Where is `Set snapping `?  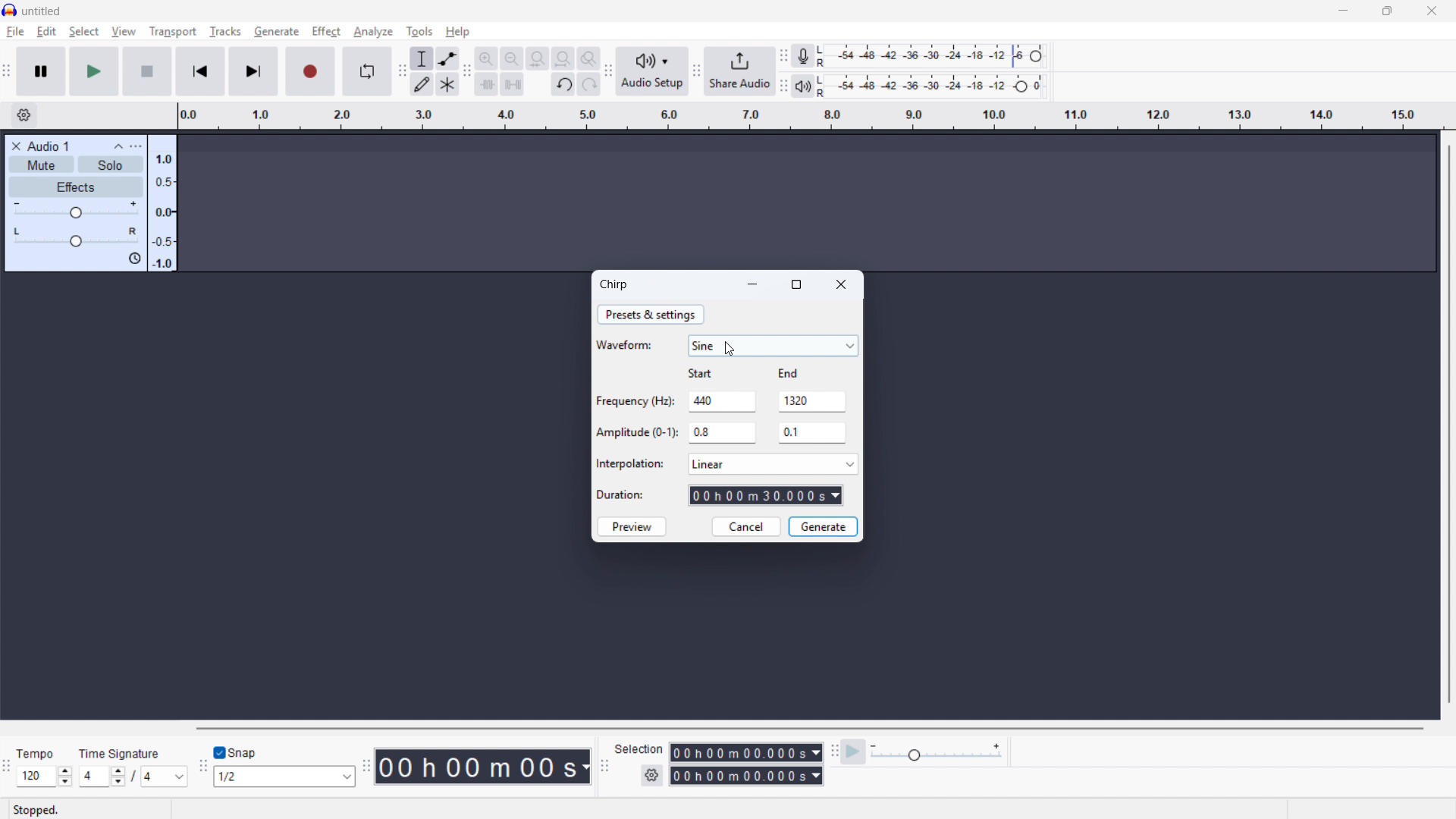
Set snapping  is located at coordinates (284, 777).